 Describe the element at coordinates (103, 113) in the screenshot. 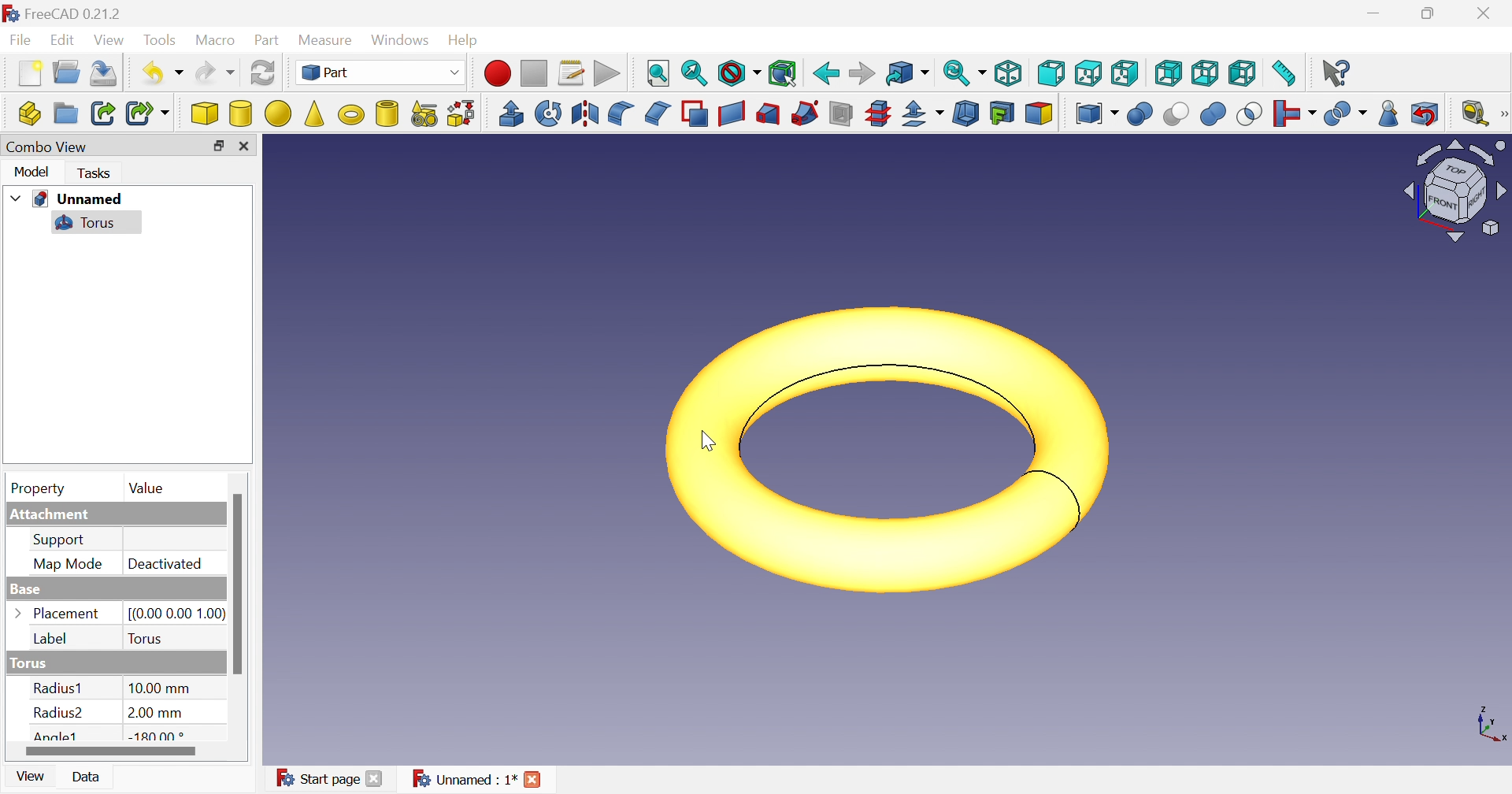

I see `Make link` at that location.